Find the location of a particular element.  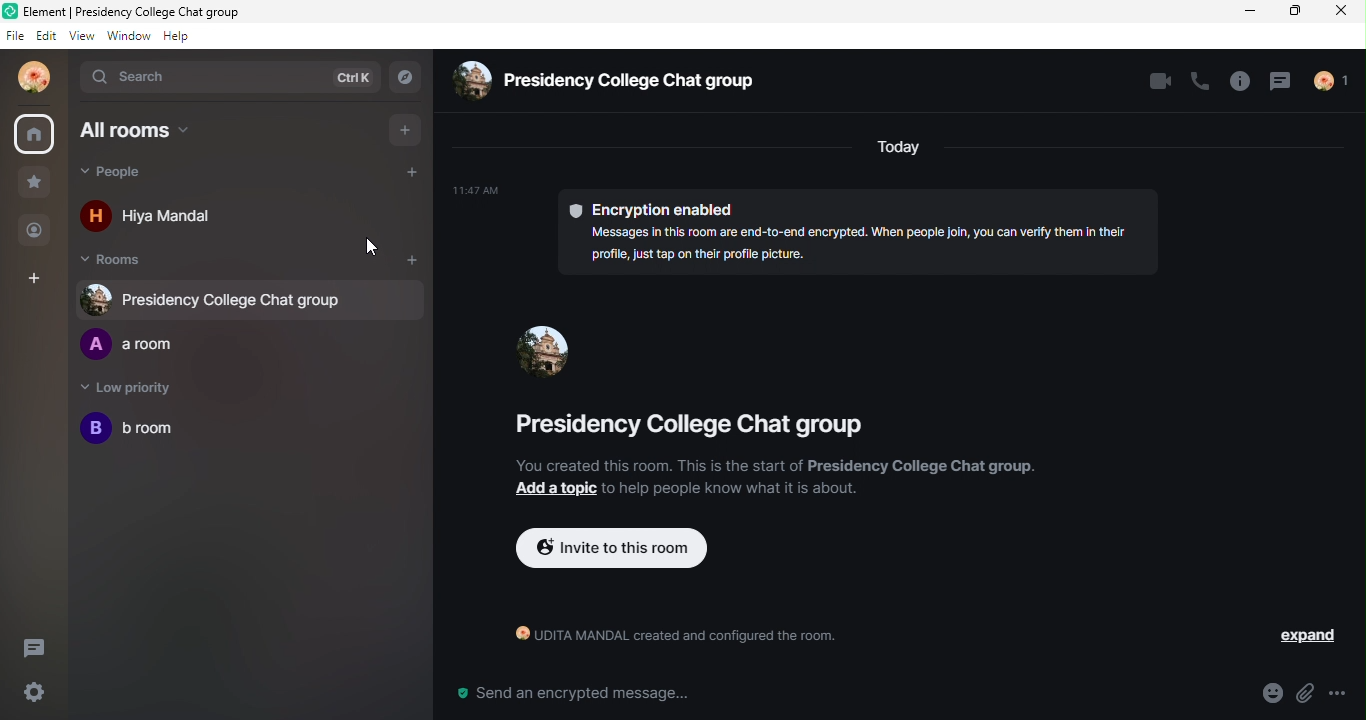

cursor is located at coordinates (34, 134).